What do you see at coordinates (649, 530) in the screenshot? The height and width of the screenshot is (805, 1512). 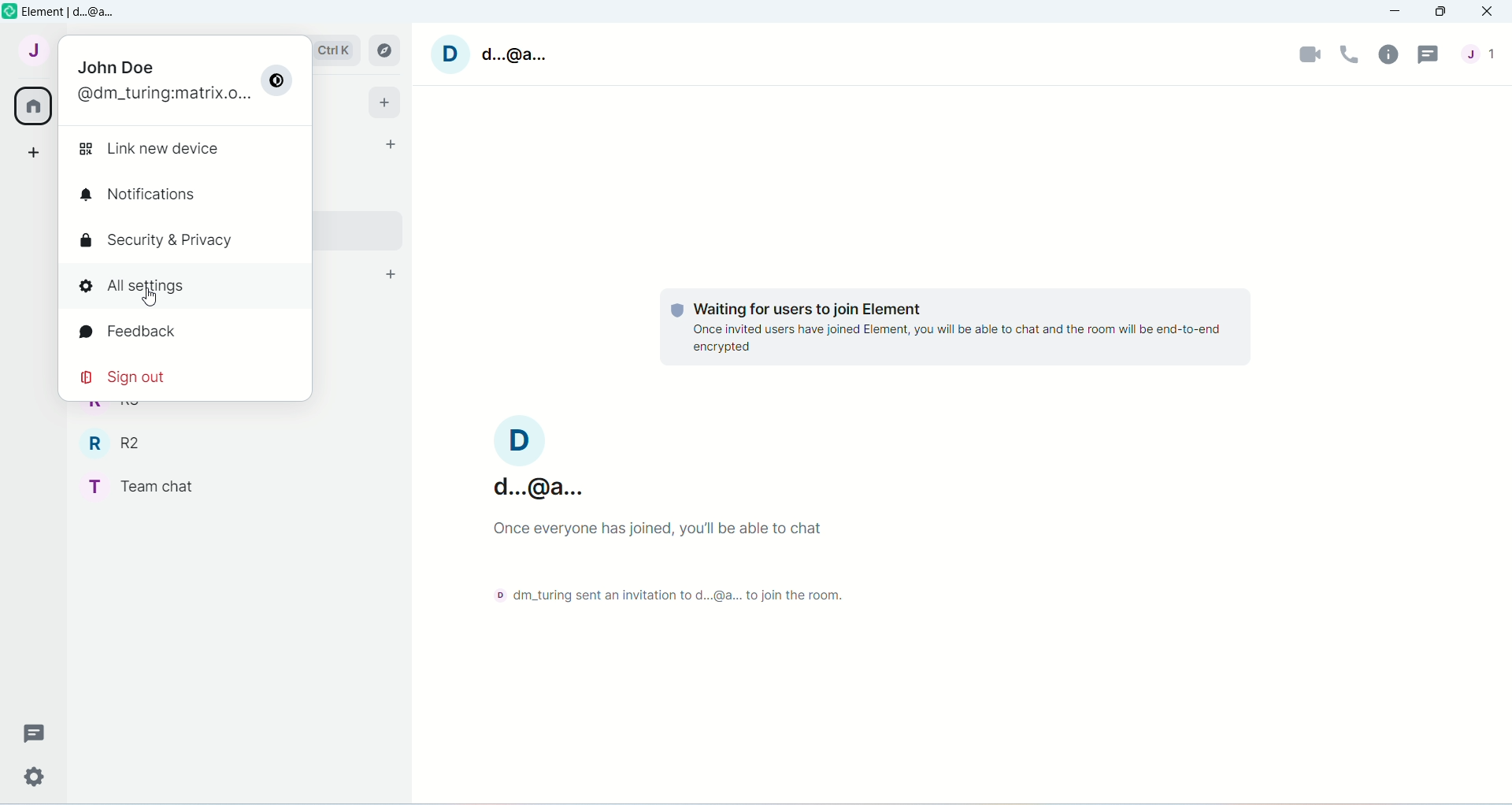 I see `once everyone has joined,you'll be able to chat` at bounding box center [649, 530].